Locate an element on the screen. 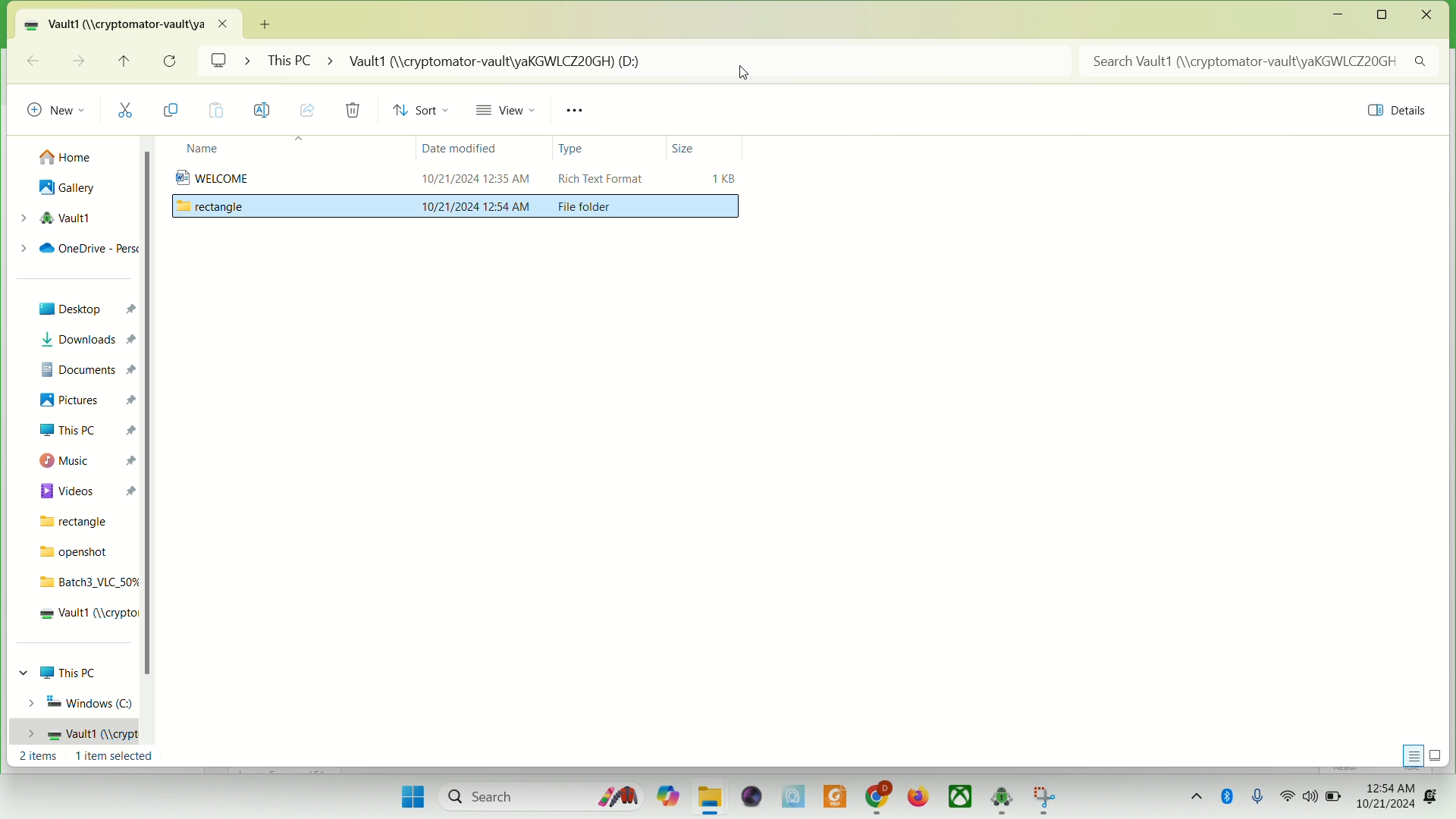 The width and height of the screenshot is (1456, 819). 10/21/2024 is located at coordinates (1386, 806).